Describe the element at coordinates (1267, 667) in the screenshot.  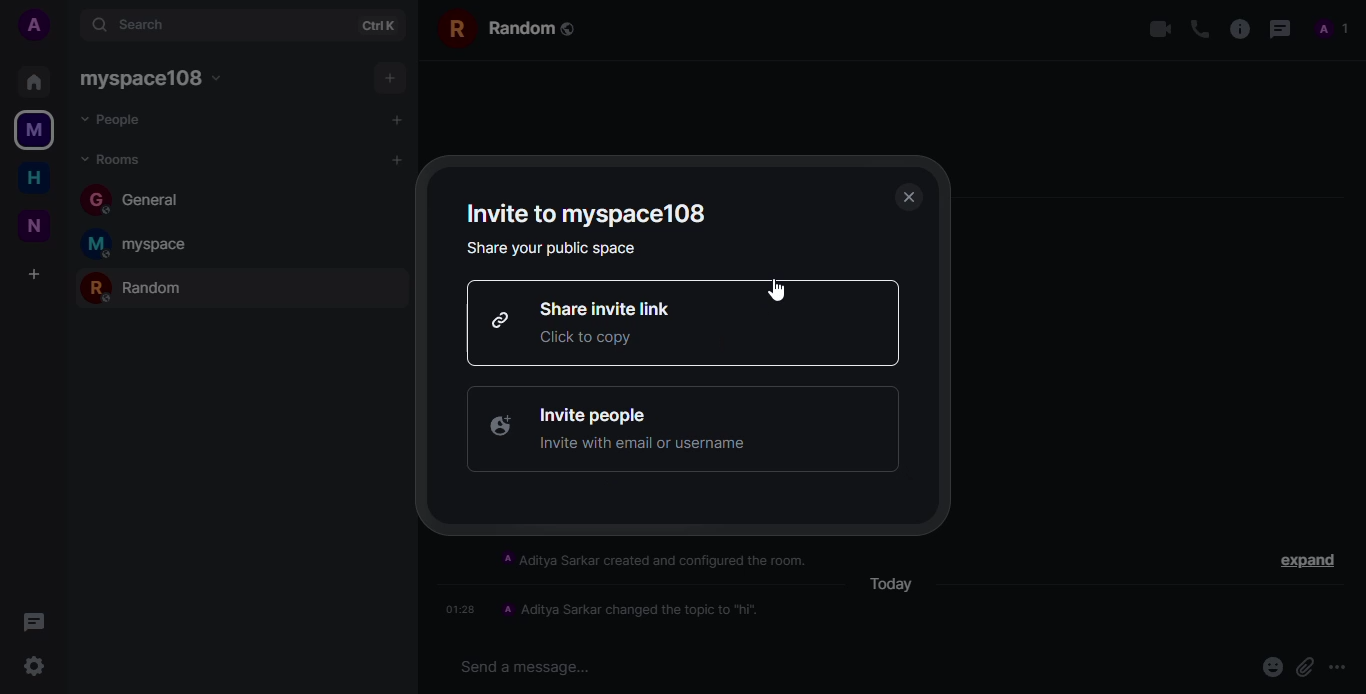
I see `emoji` at that location.